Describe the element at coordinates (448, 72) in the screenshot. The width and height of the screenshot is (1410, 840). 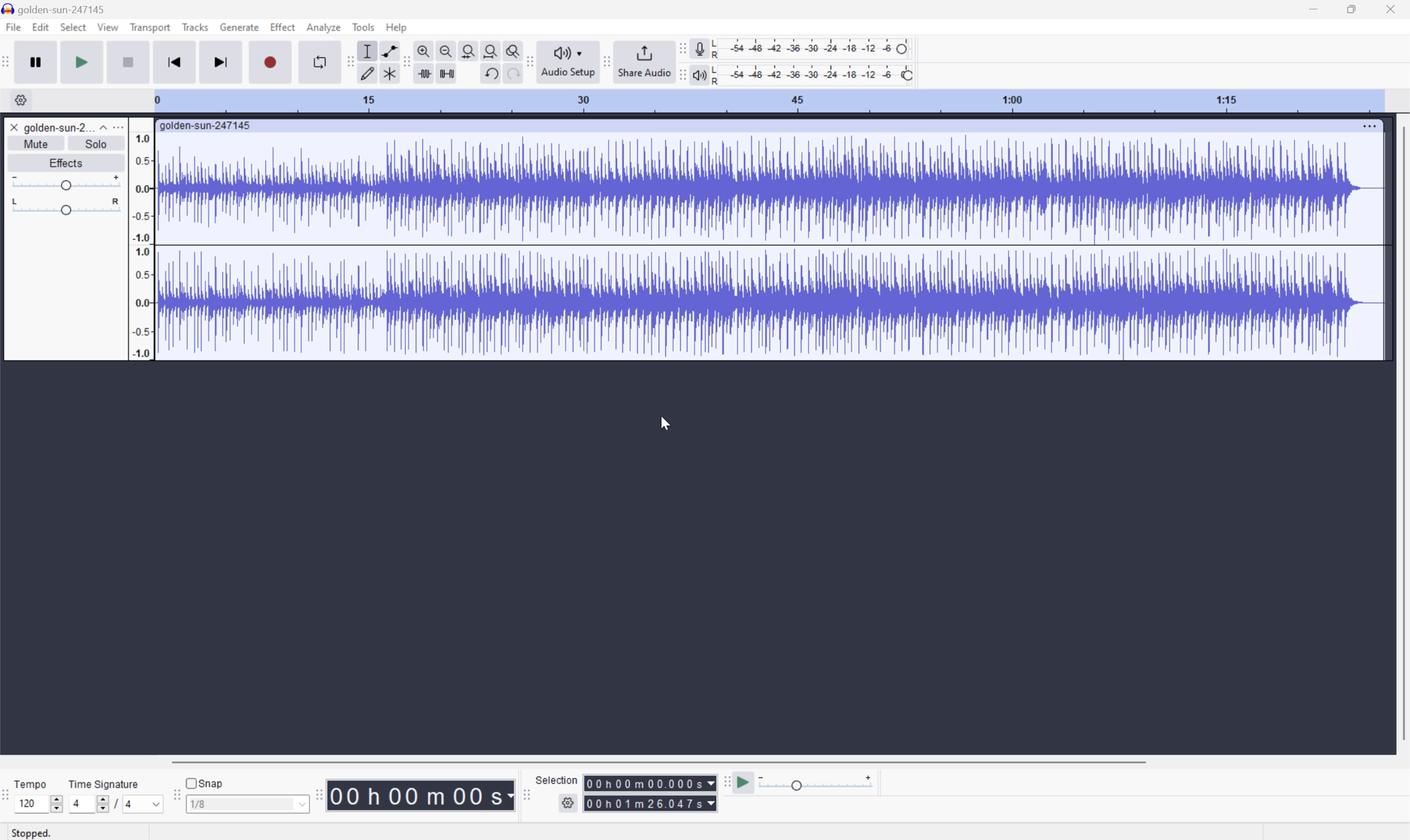
I see `Silence audio selection` at that location.